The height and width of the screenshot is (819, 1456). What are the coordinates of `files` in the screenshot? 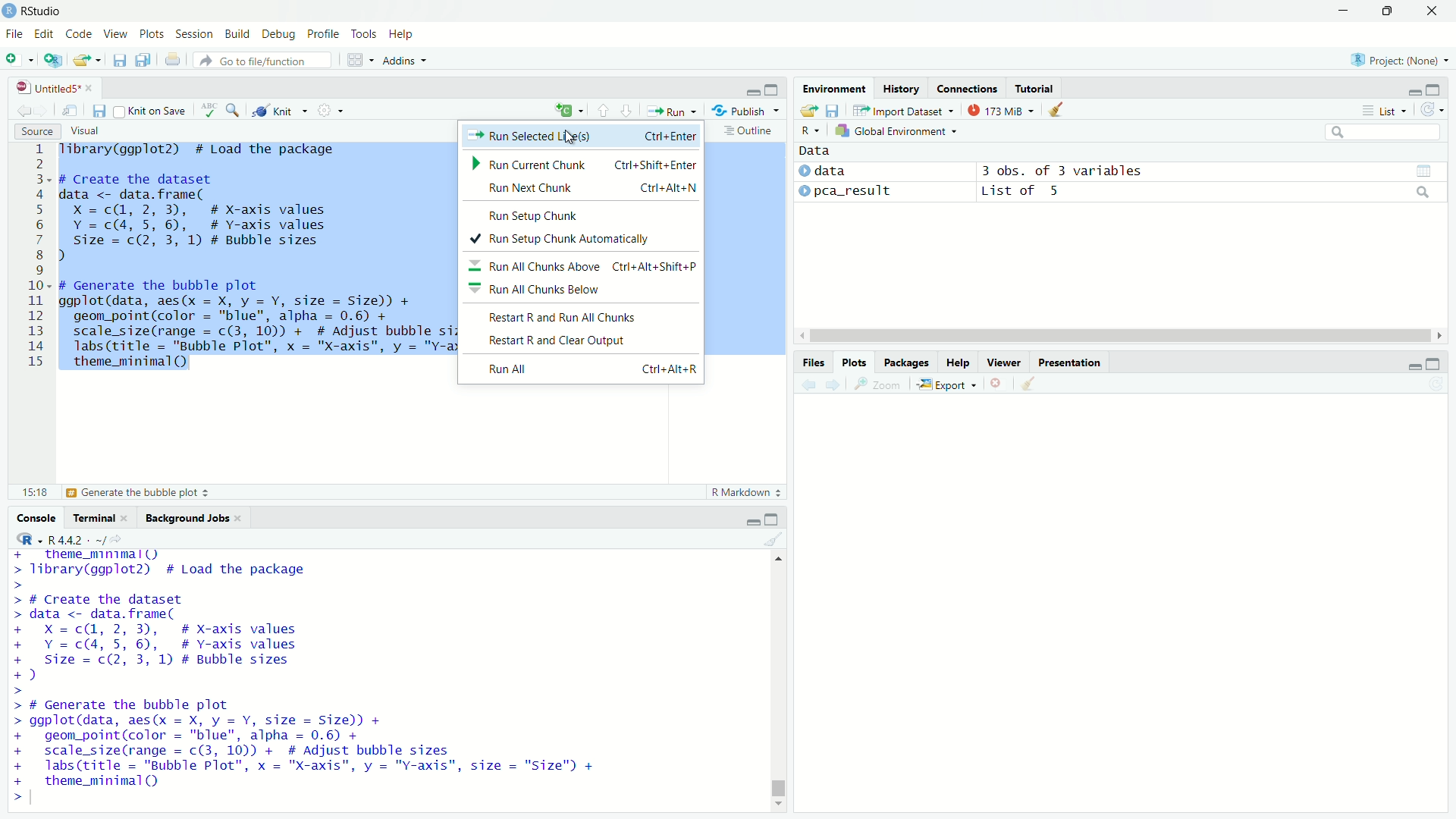 It's located at (815, 362).